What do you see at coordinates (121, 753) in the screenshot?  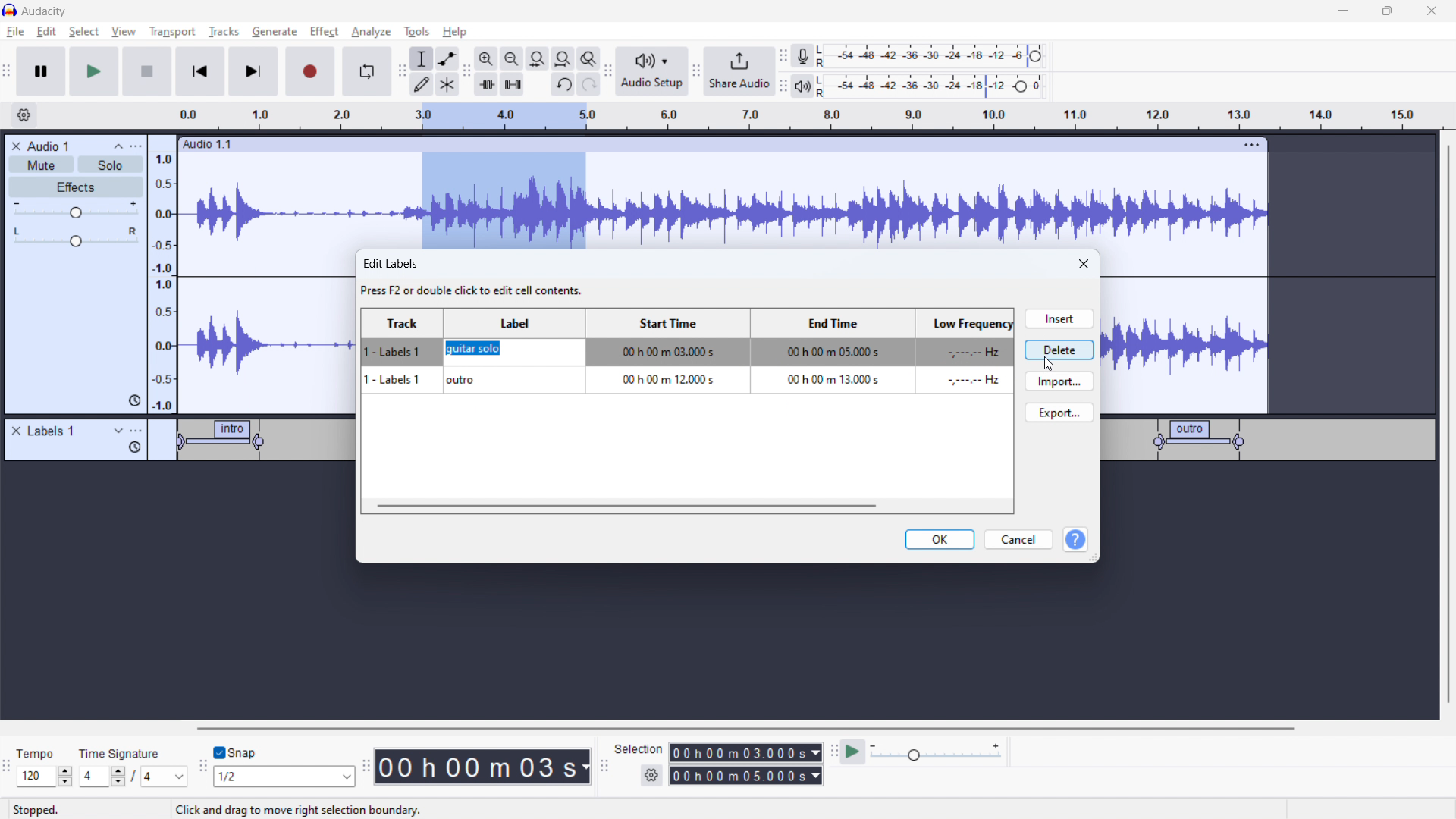 I see `time signature` at bounding box center [121, 753].